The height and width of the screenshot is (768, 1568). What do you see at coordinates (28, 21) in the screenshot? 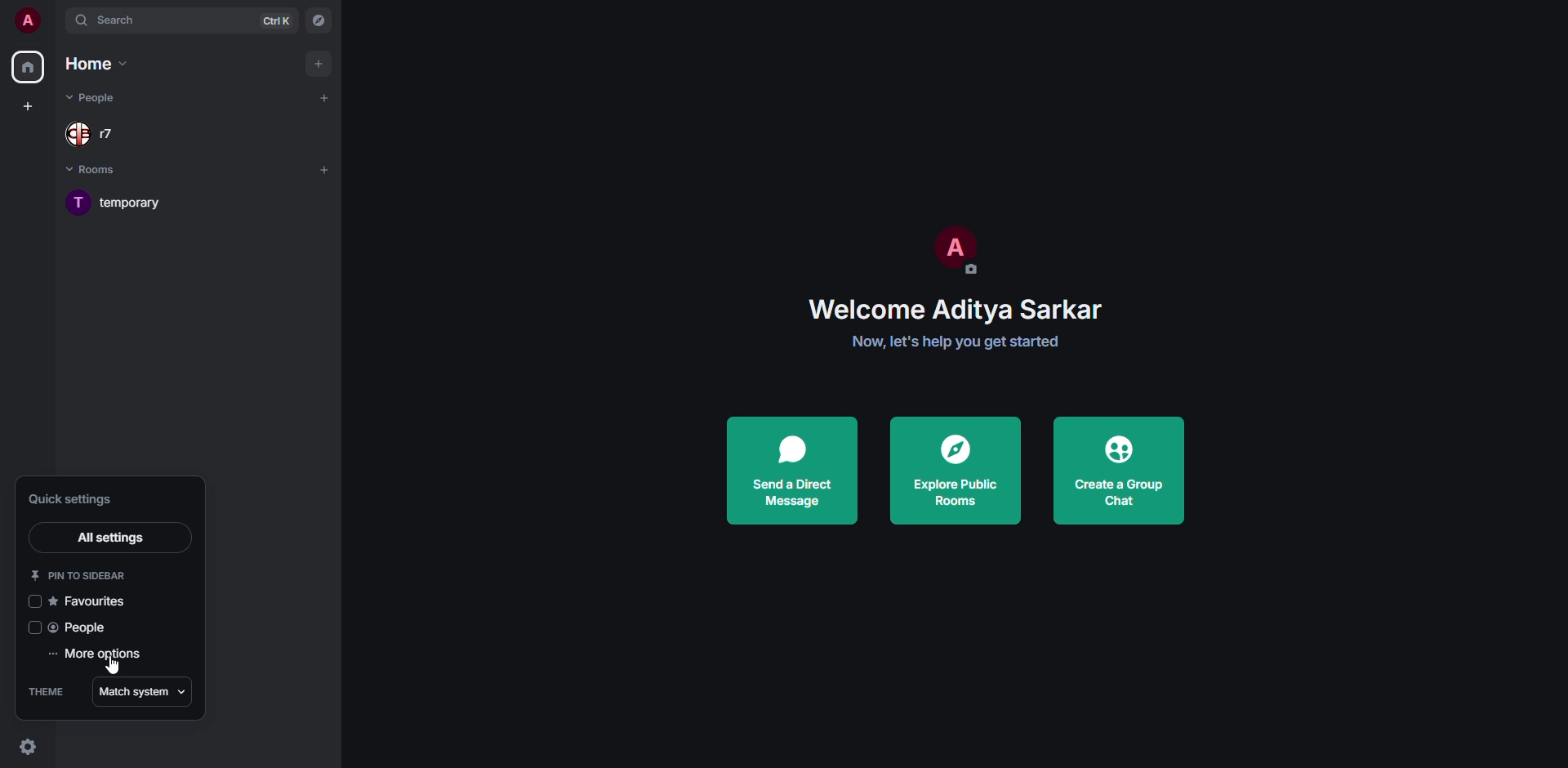
I see `profile` at bounding box center [28, 21].